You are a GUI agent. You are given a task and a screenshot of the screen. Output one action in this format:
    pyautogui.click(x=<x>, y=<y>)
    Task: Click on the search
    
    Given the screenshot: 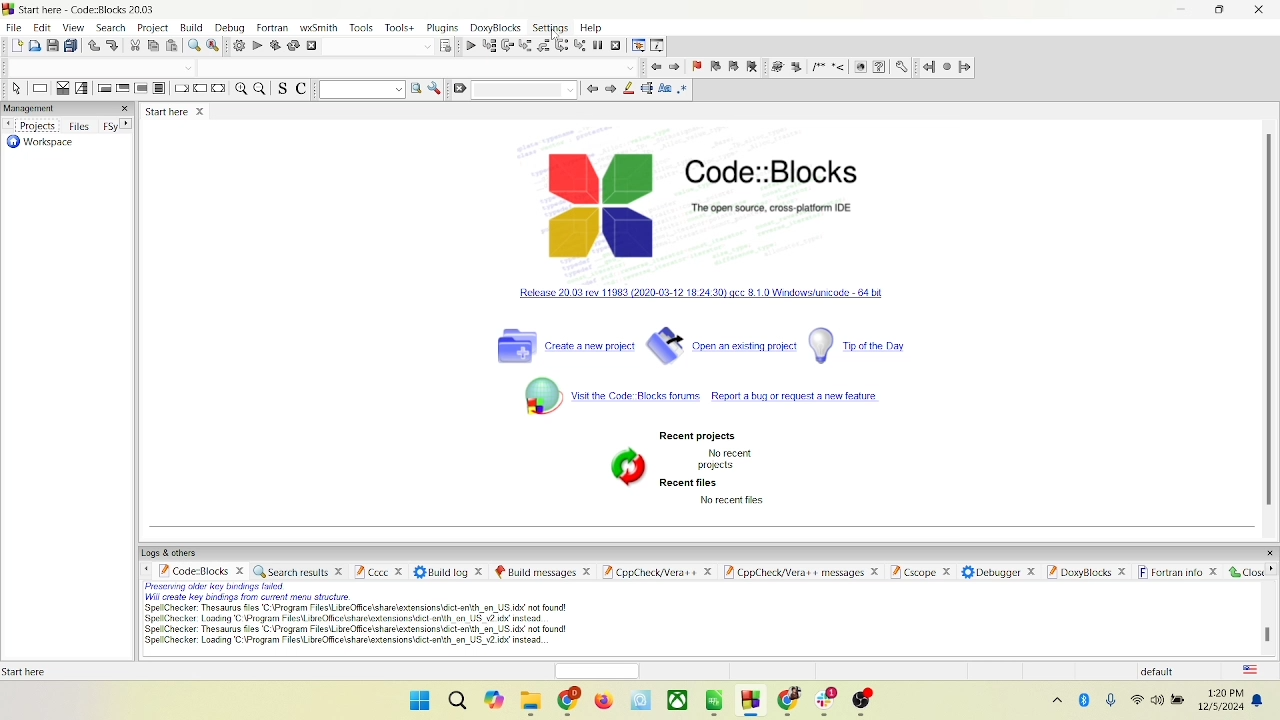 What is the action you would take?
    pyautogui.click(x=456, y=703)
    